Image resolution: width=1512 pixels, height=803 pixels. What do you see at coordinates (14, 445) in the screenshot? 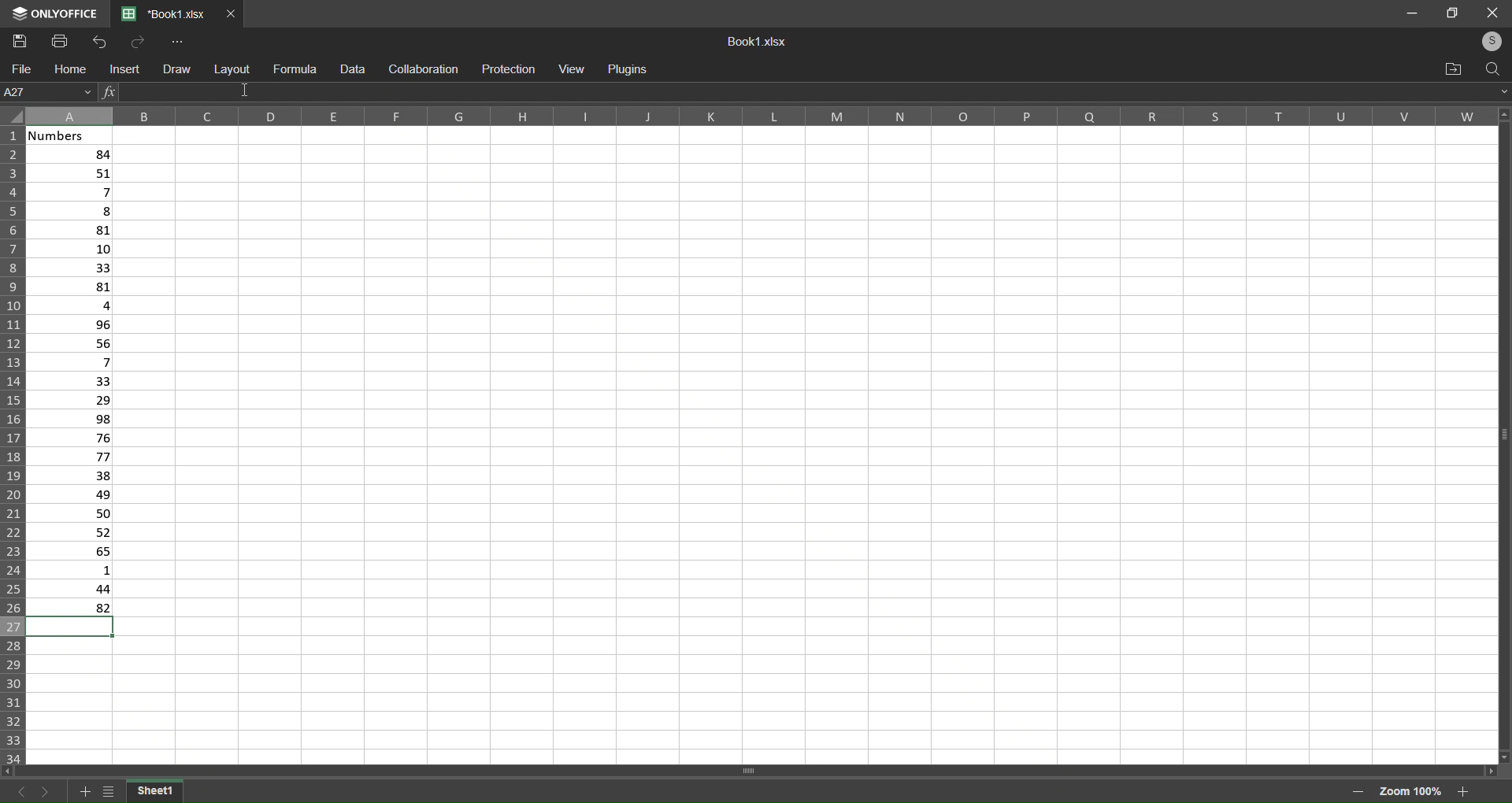
I see `Row label` at bounding box center [14, 445].